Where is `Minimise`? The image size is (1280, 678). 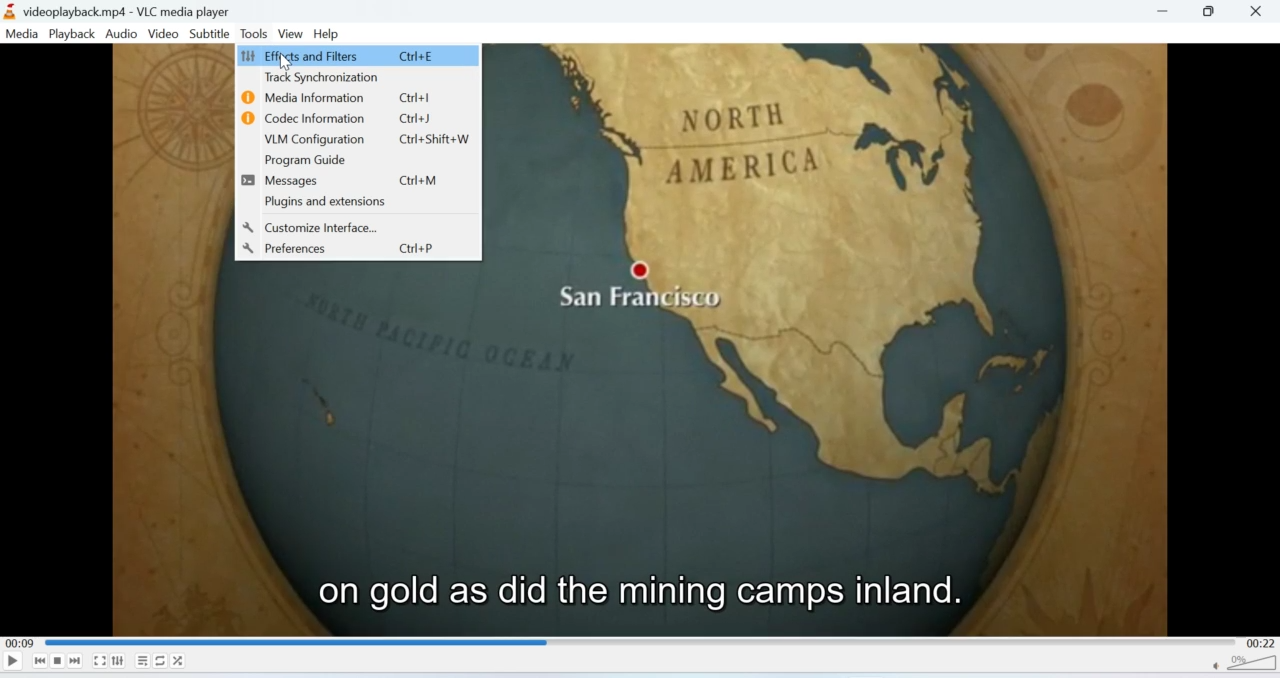
Minimise is located at coordinates (1166, 10).